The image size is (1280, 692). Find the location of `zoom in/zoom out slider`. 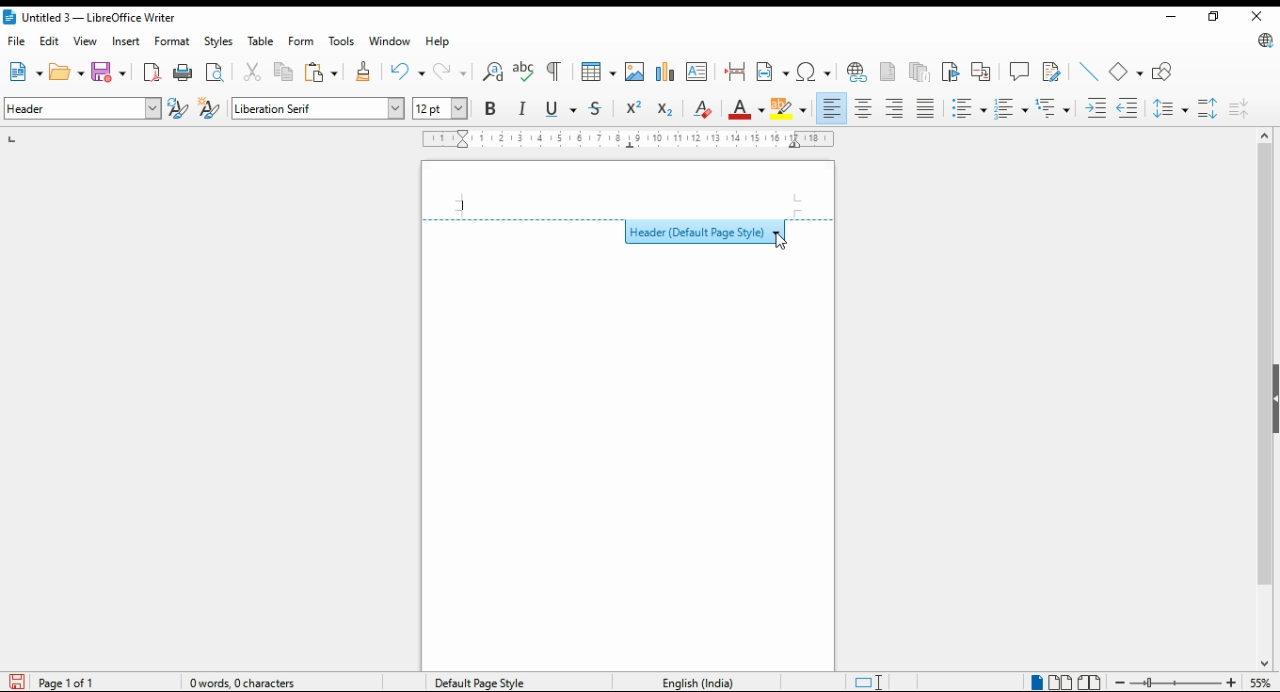

zoom in/zoom out slider is located at coordinates (1173, 682).